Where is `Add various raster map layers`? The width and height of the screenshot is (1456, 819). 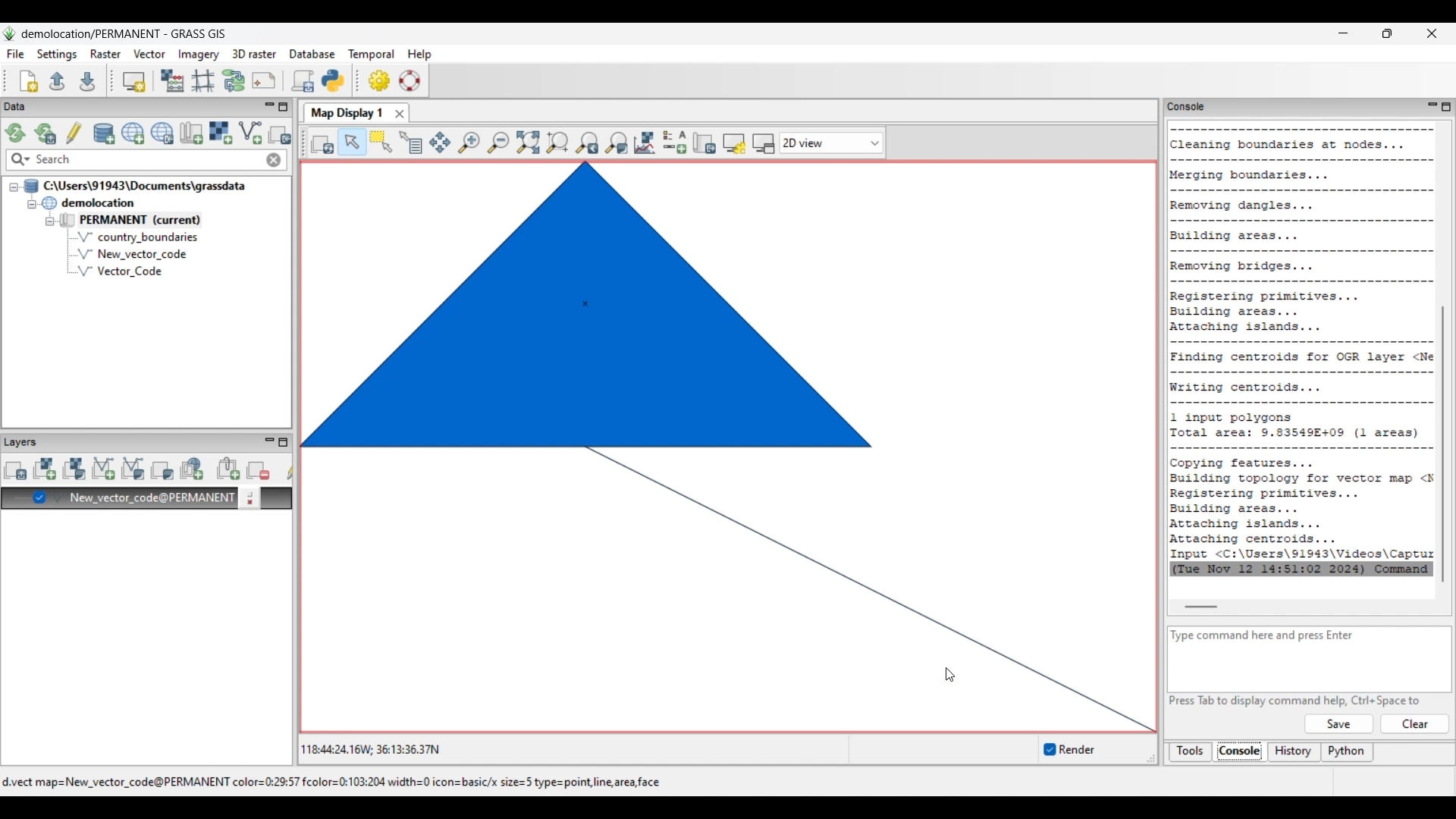 Add various raster map layers is located at coordinates (74, 469).